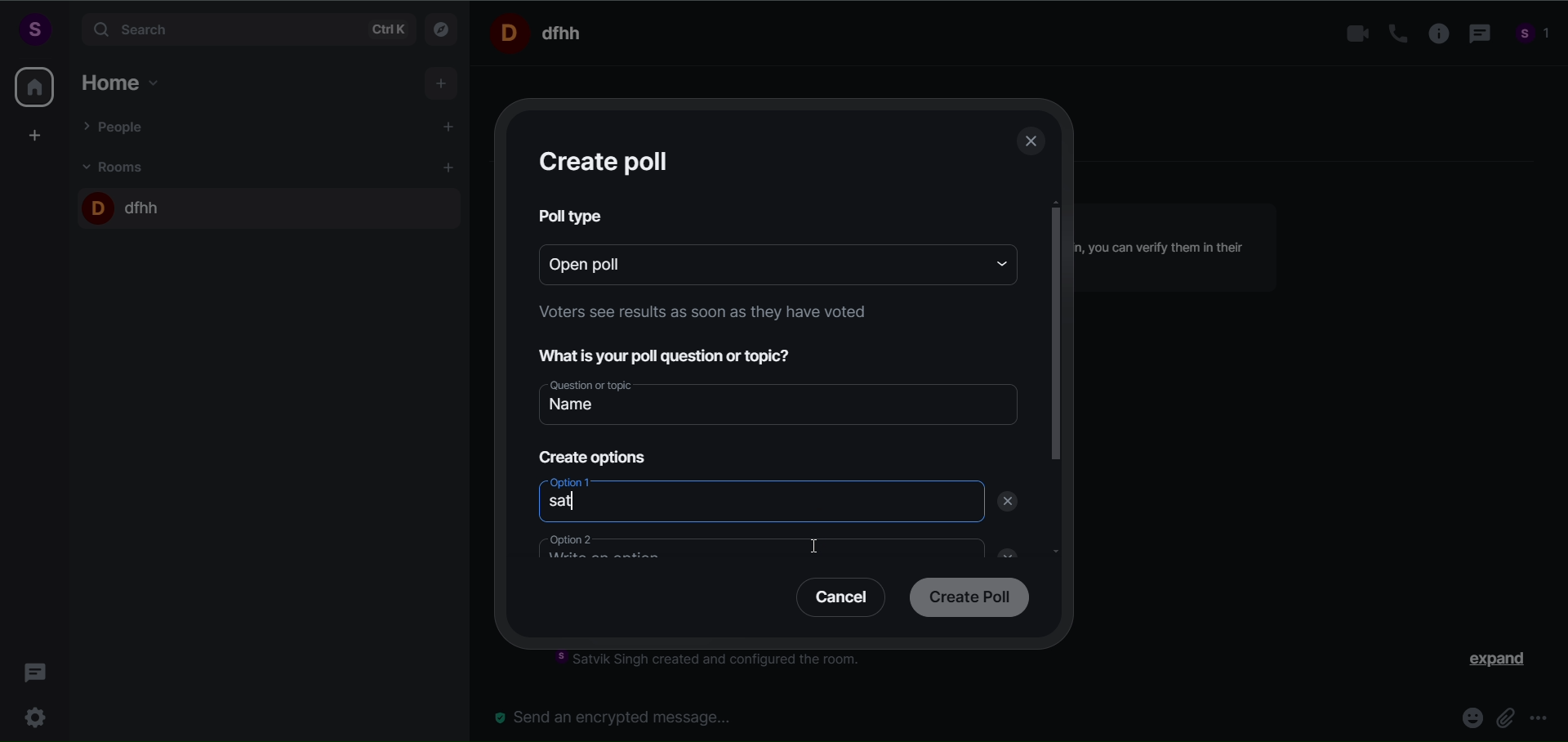 The width and height of the screenshot is (1568, 742). Describe the element at coordinates (755, 503) in the screenshot. I see `option 1` at that location.